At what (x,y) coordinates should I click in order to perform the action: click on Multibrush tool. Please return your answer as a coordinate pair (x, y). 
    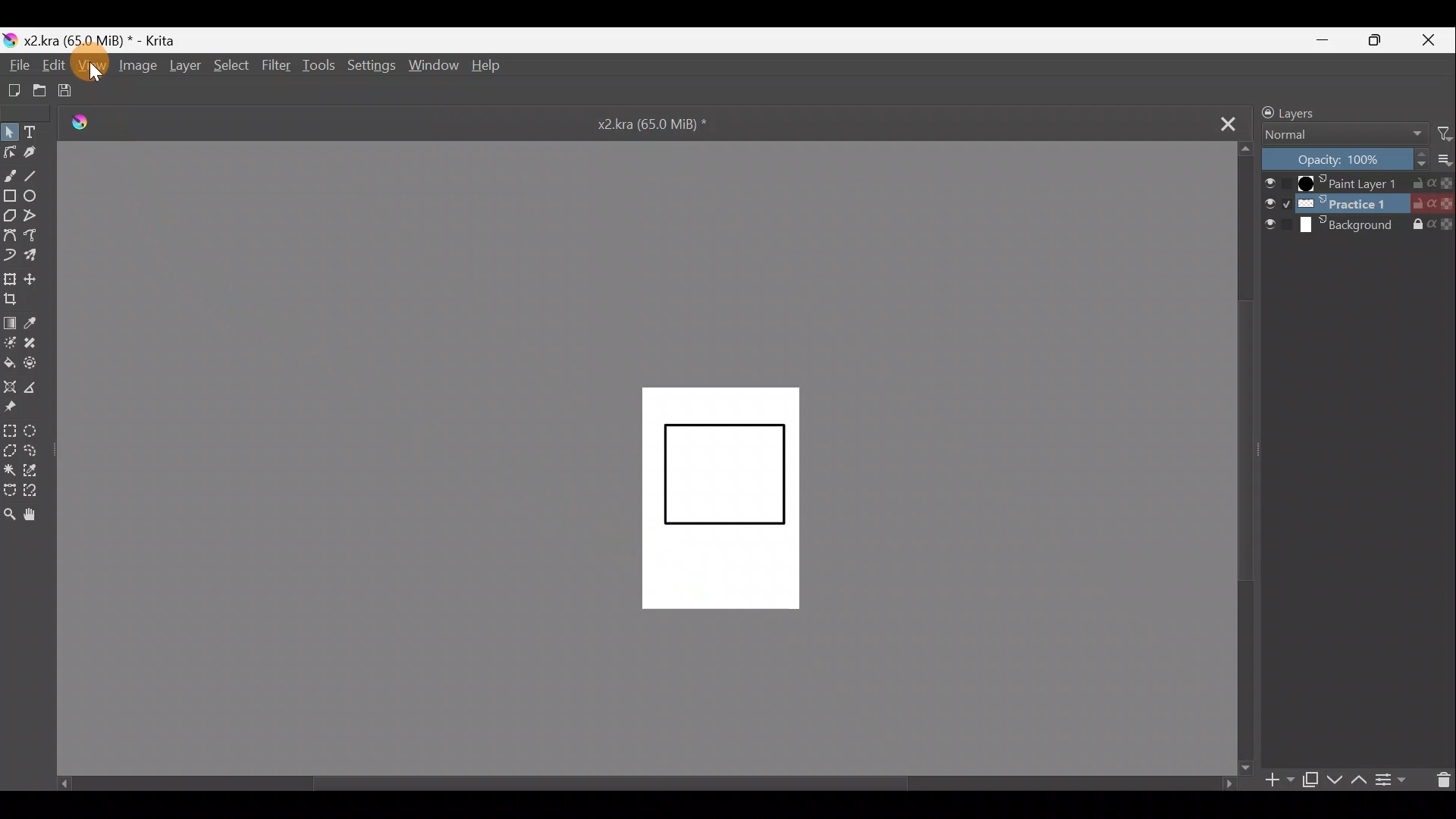
    Looking at the image, I should click on (39, 257).